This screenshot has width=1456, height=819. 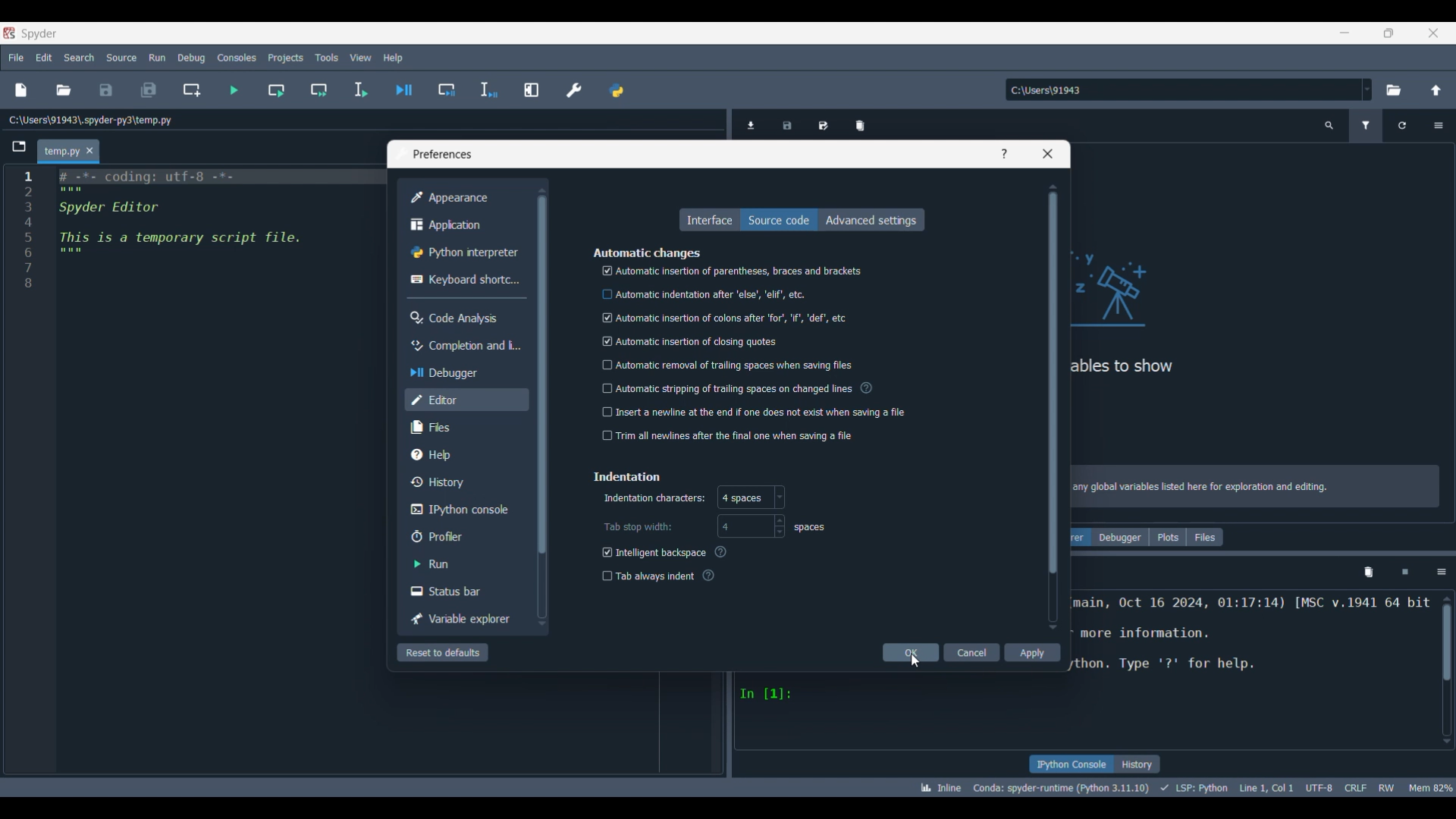 I want to click on Debug selection/current line, so click(x=488, y=90).